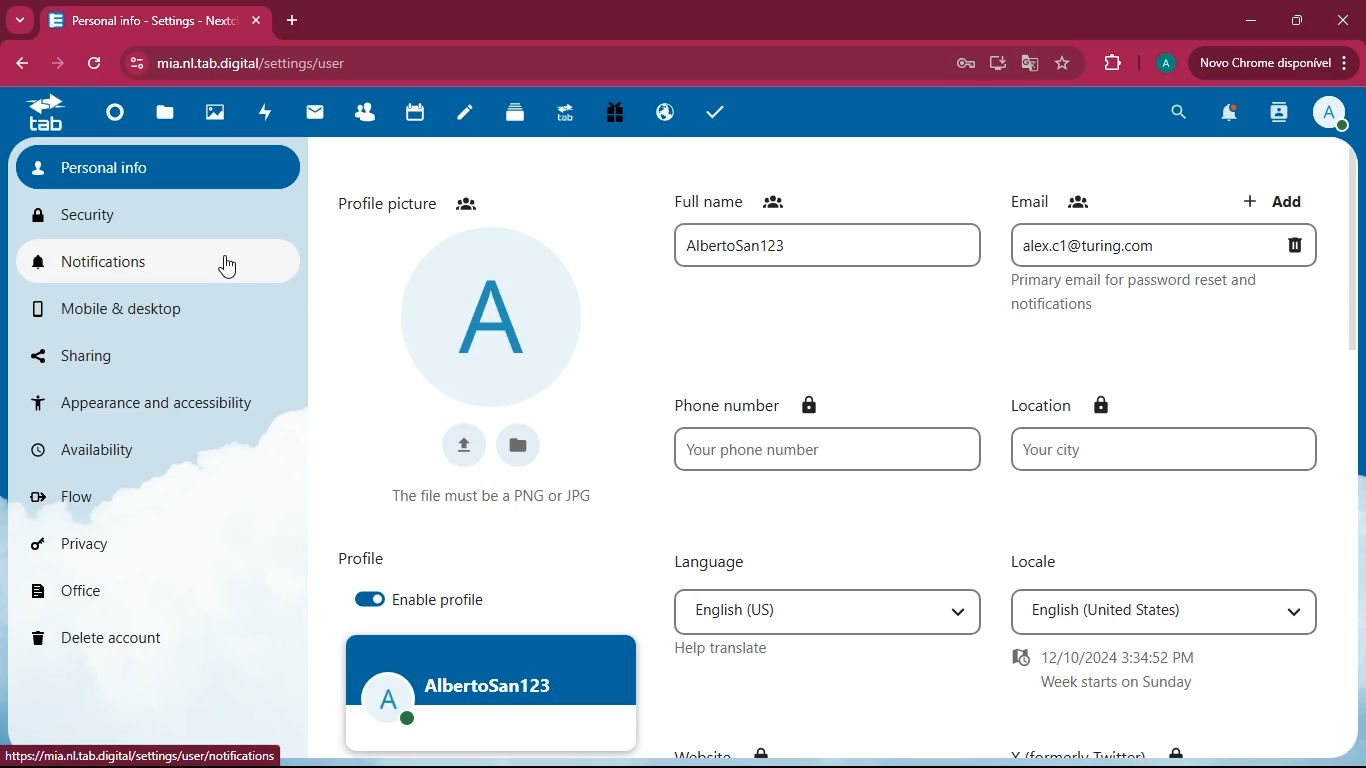 The height and width of the screenshot is (768, 1366). What do you see at coordinates (133, 354) in the screenshot?
I see `sharing` at bounding box center [133, 354].